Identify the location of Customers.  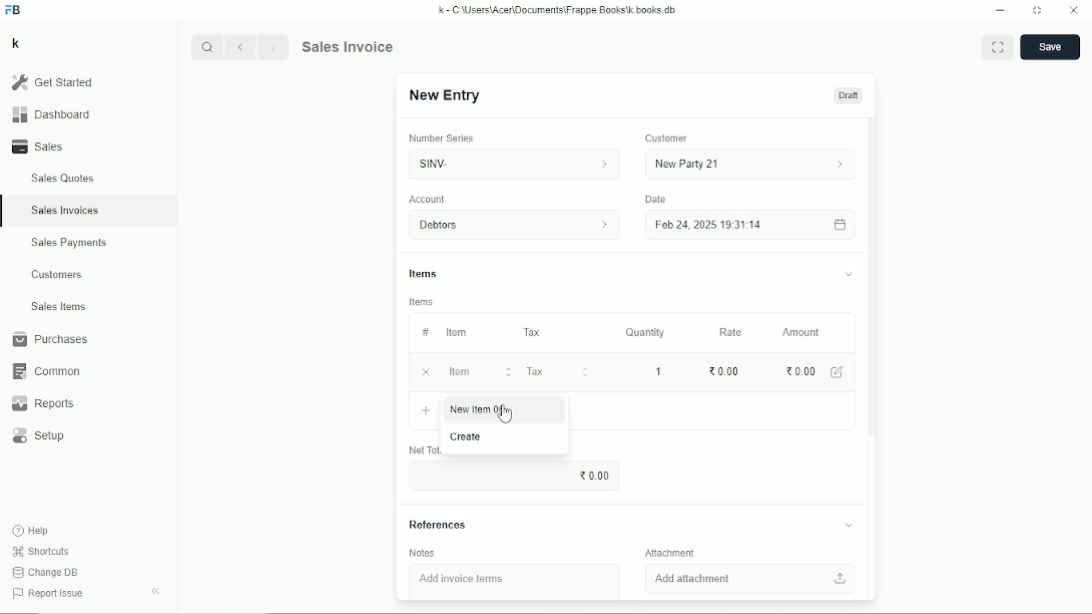
(58, 274).